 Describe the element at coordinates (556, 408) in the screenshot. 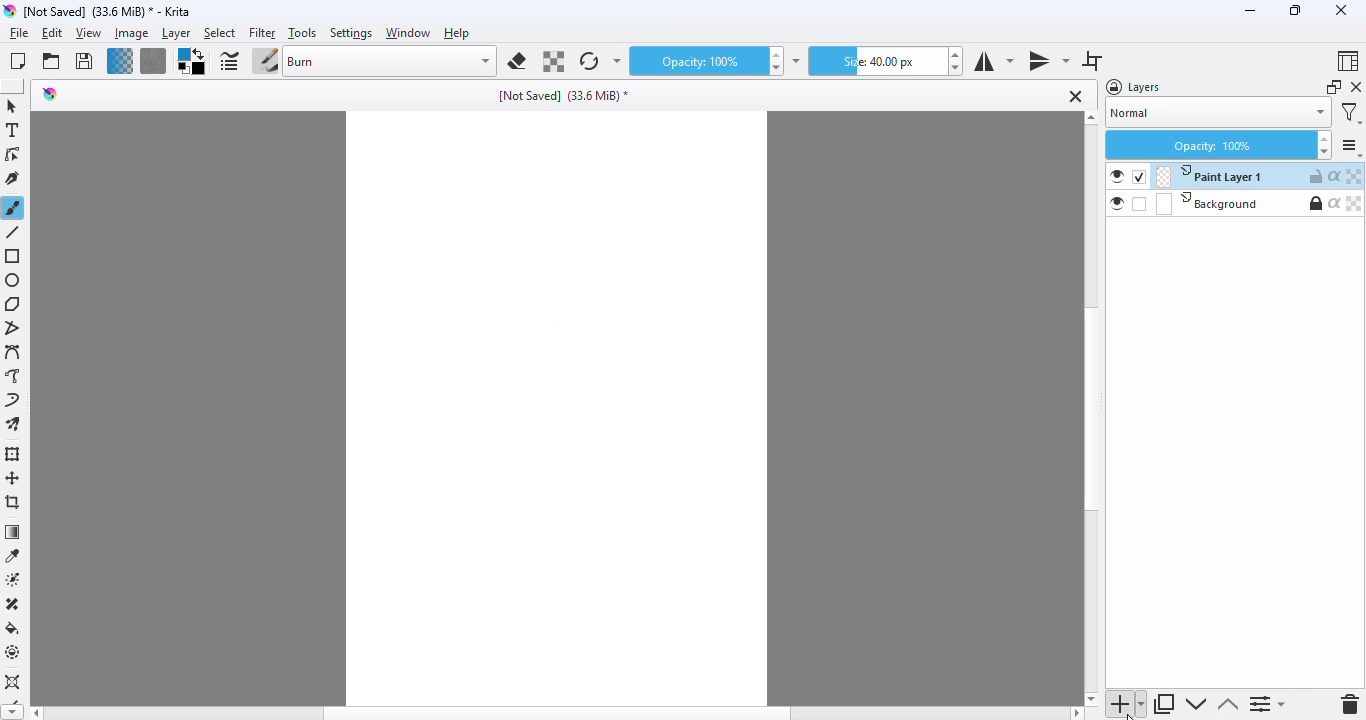

I see `canvas` at that location.